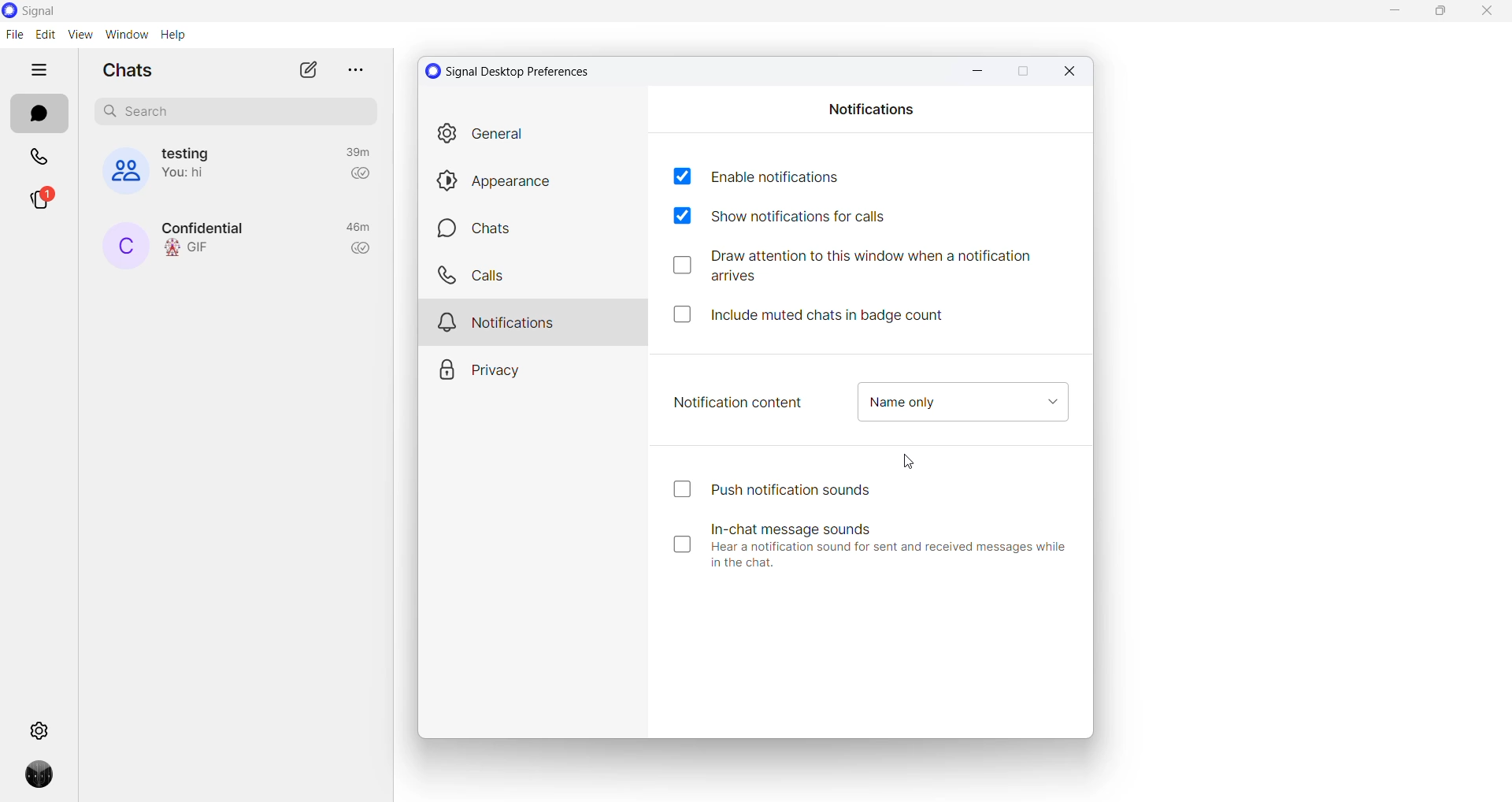 This screenshot has width=1512, height=802. Describe the element at coordinates (535, 229) in the screenshot. I see `chats` at that location.